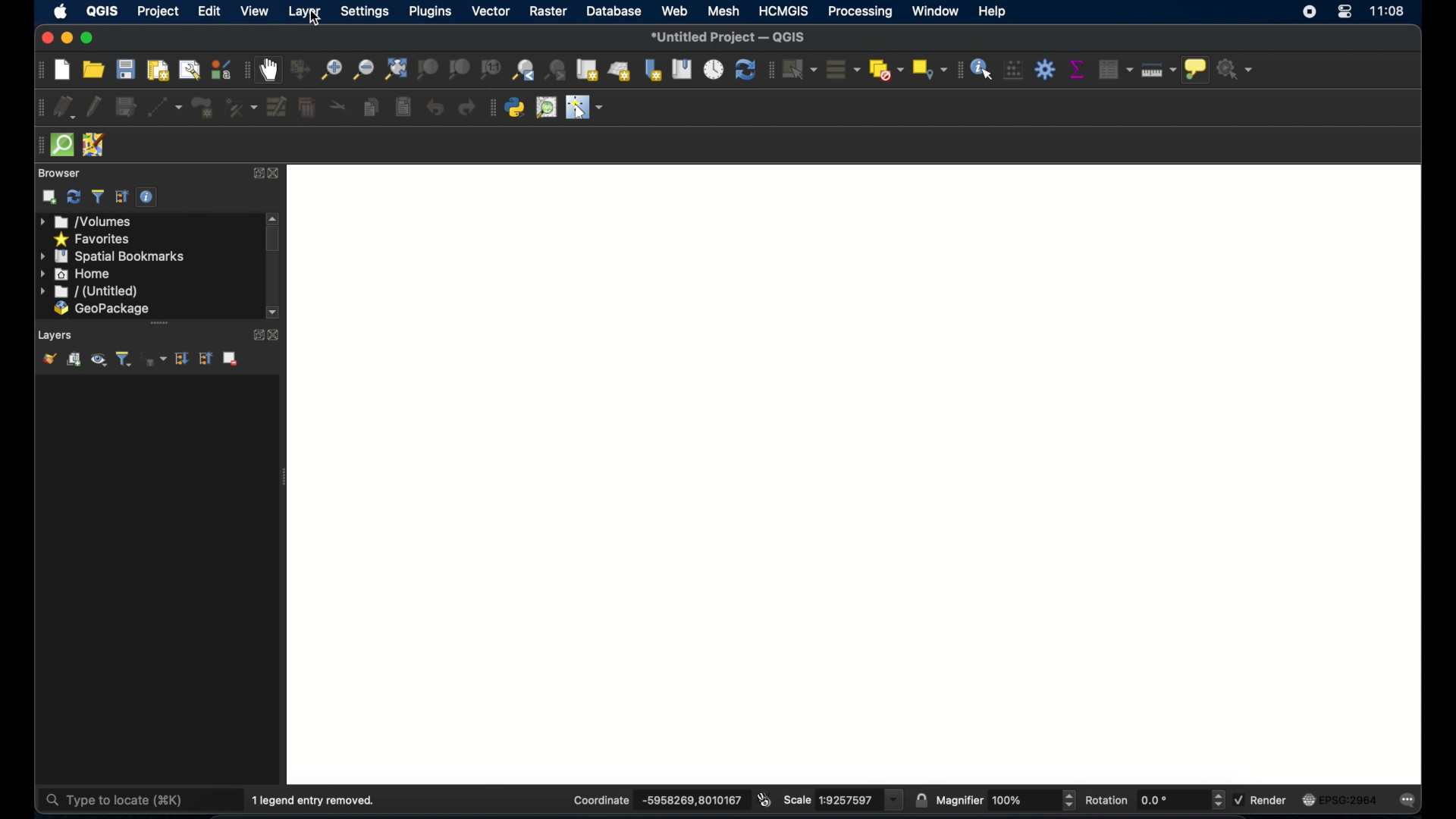 The width and height of the screenshot is (1456, 819). What do you see at coordinates (93, 144) in the screenshot?
I see `josh remote` at bounding box center [93, 144].